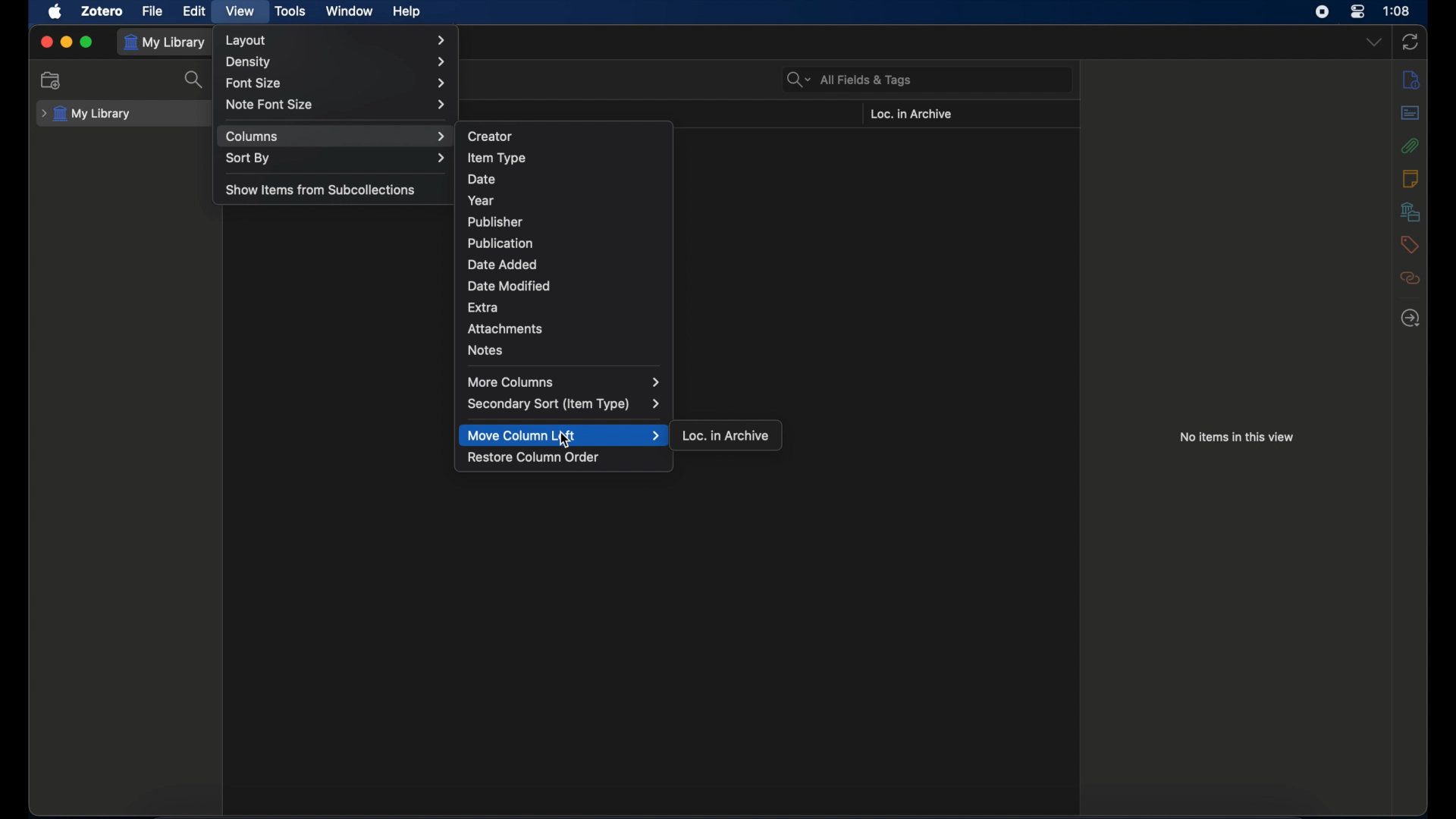 The height and width of the screenshot is (819, 1456). Describe the element at coordinates (481, 200) in the screenshot. I see `year` at that location.